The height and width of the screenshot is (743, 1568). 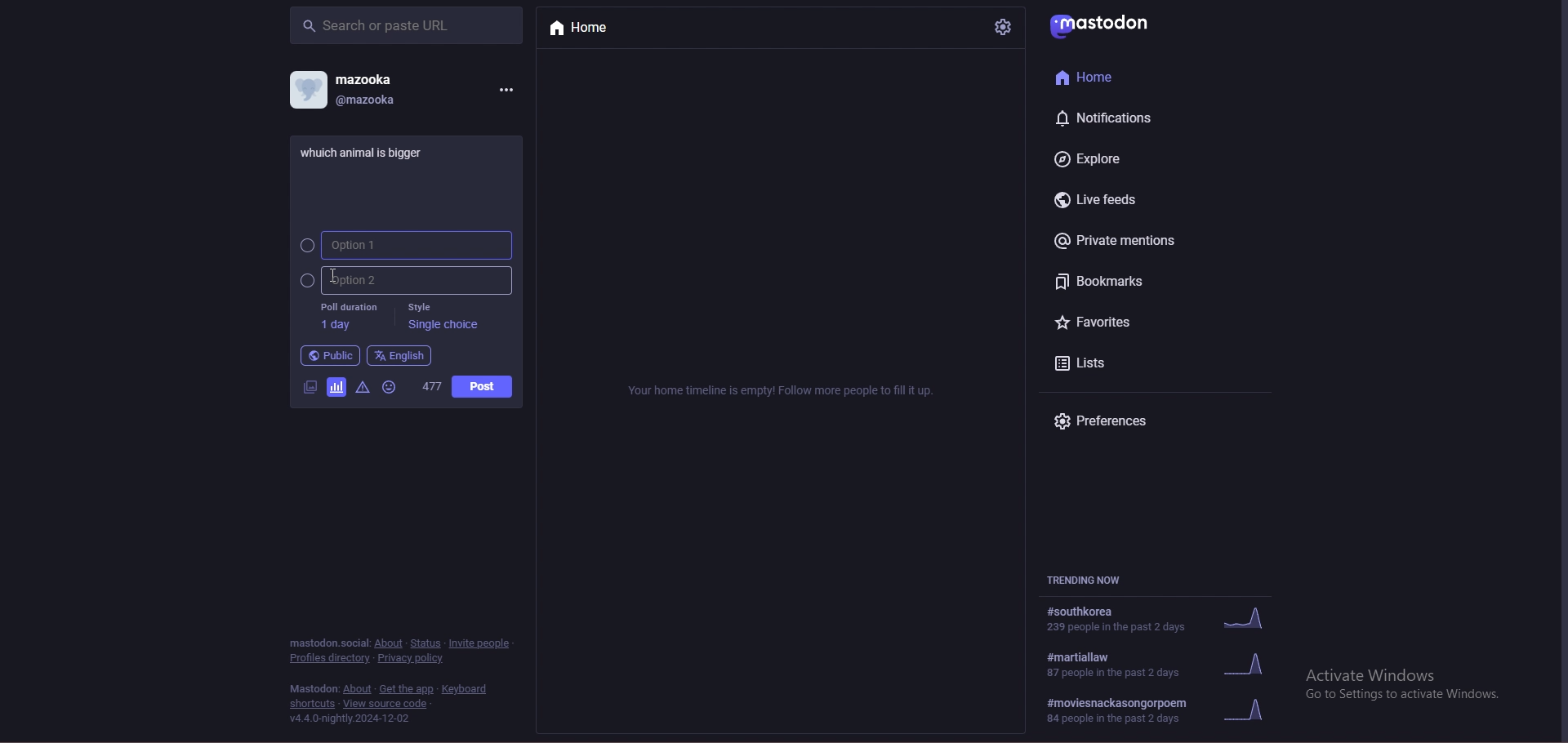 What do you see at coordinates (307, 89) in the screenshot?
I see `profile` at bounding box center [307, 89].